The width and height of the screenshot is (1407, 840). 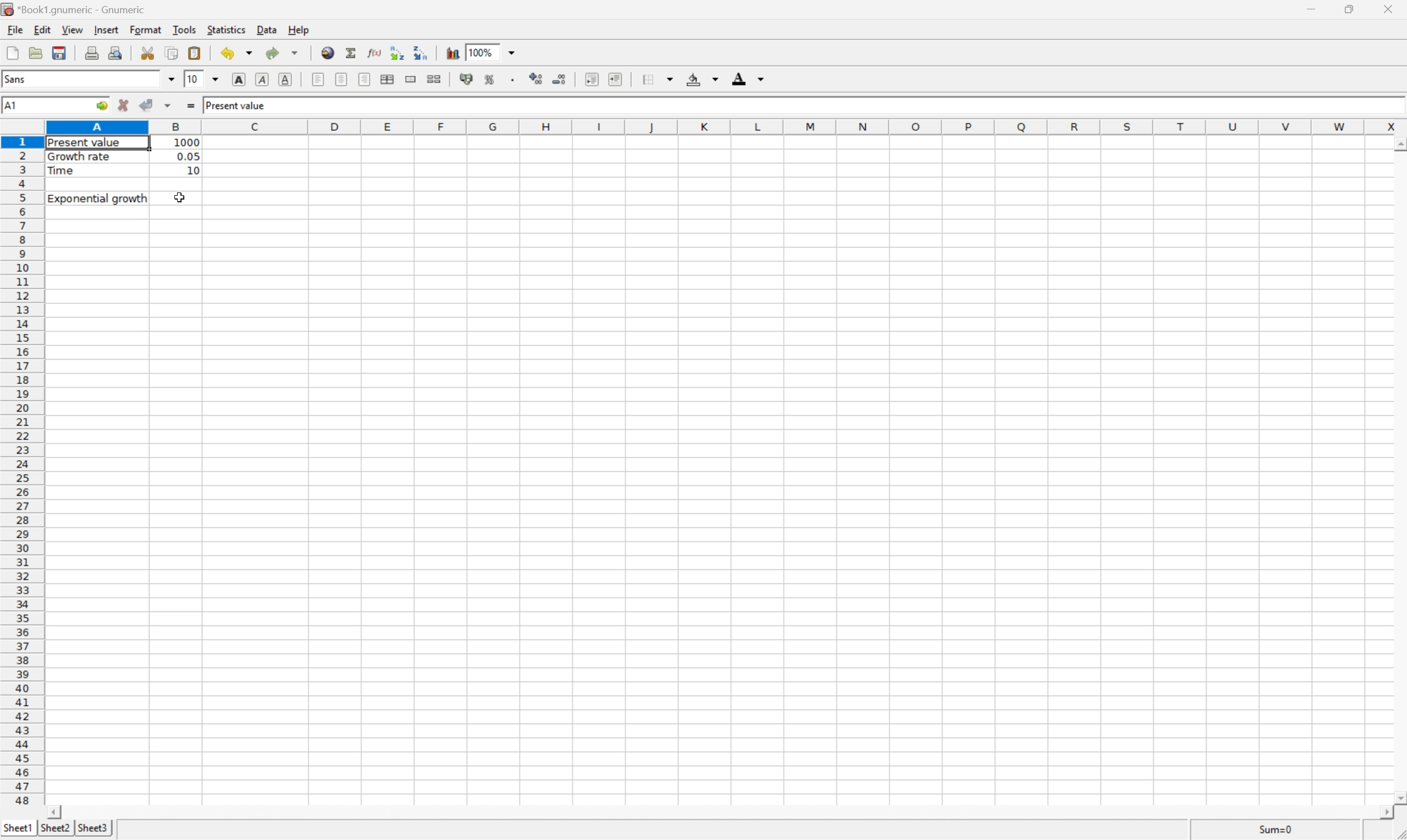 What do you see at coordinates (144, 29) in the screenshot?
I see `Format` at bounding box center [144, 29].